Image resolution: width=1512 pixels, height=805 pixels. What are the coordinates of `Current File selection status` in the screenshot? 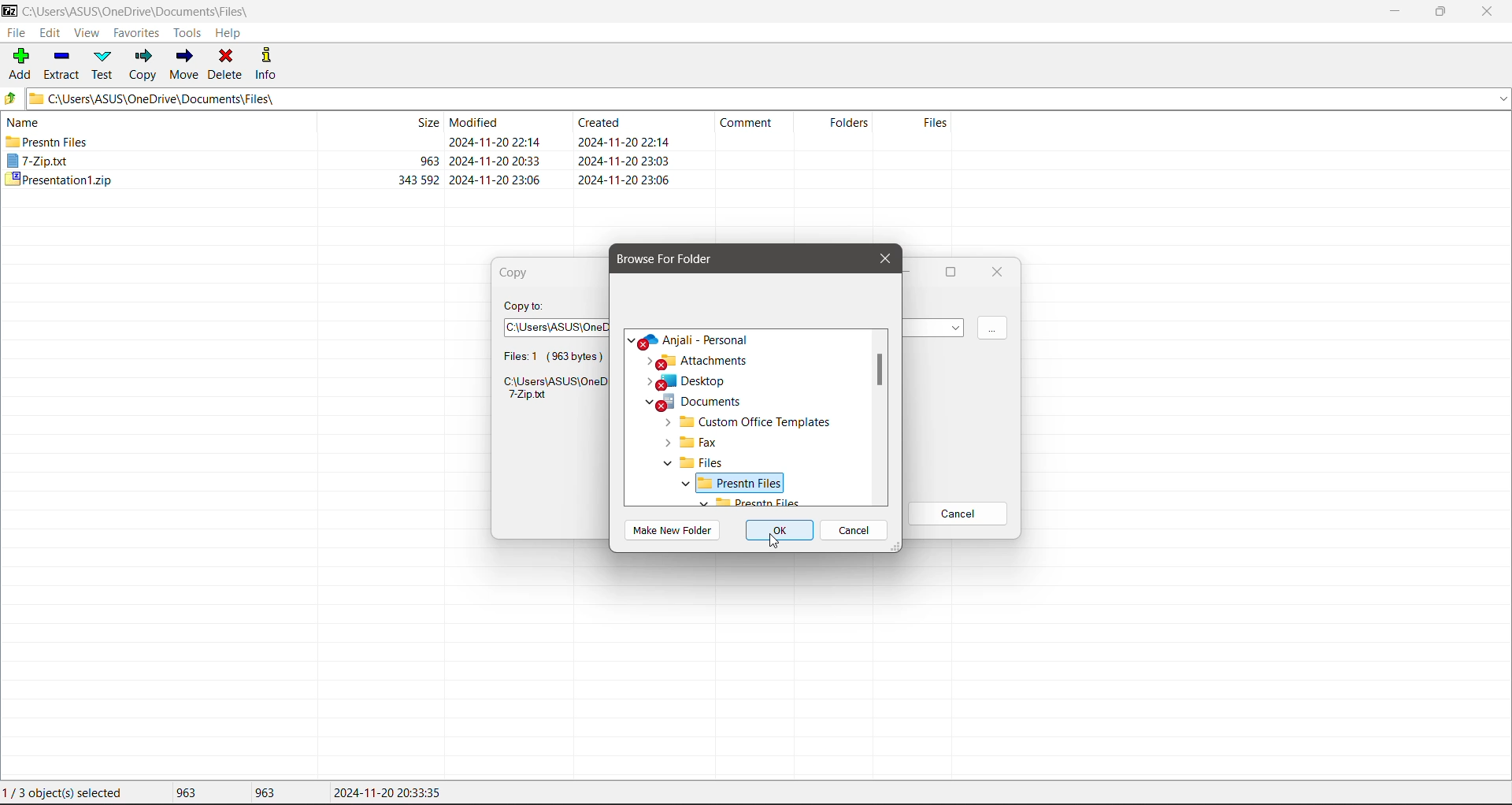 It's located at (66, 793).